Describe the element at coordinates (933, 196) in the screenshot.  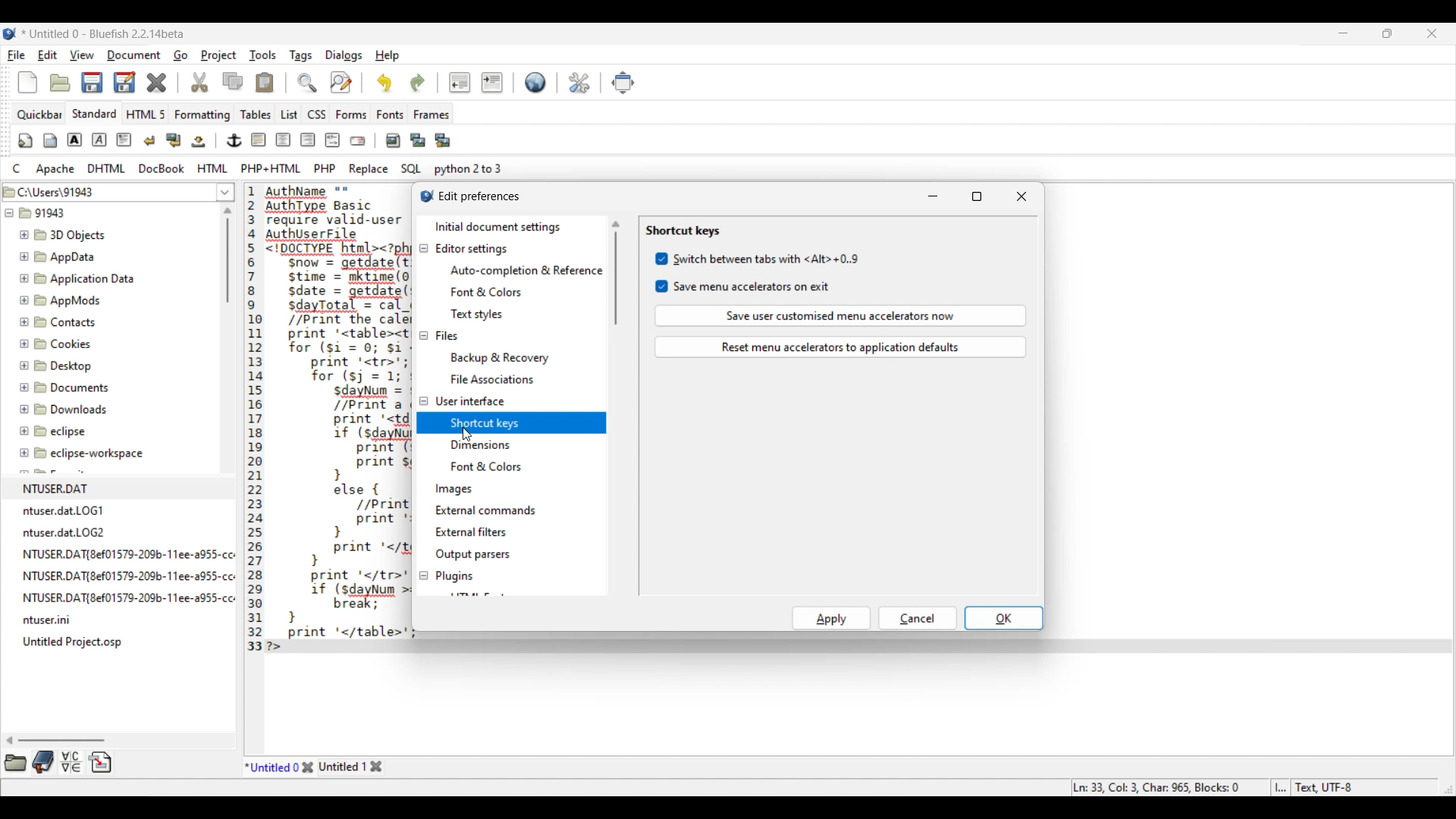
I see `Minimize` at that location.